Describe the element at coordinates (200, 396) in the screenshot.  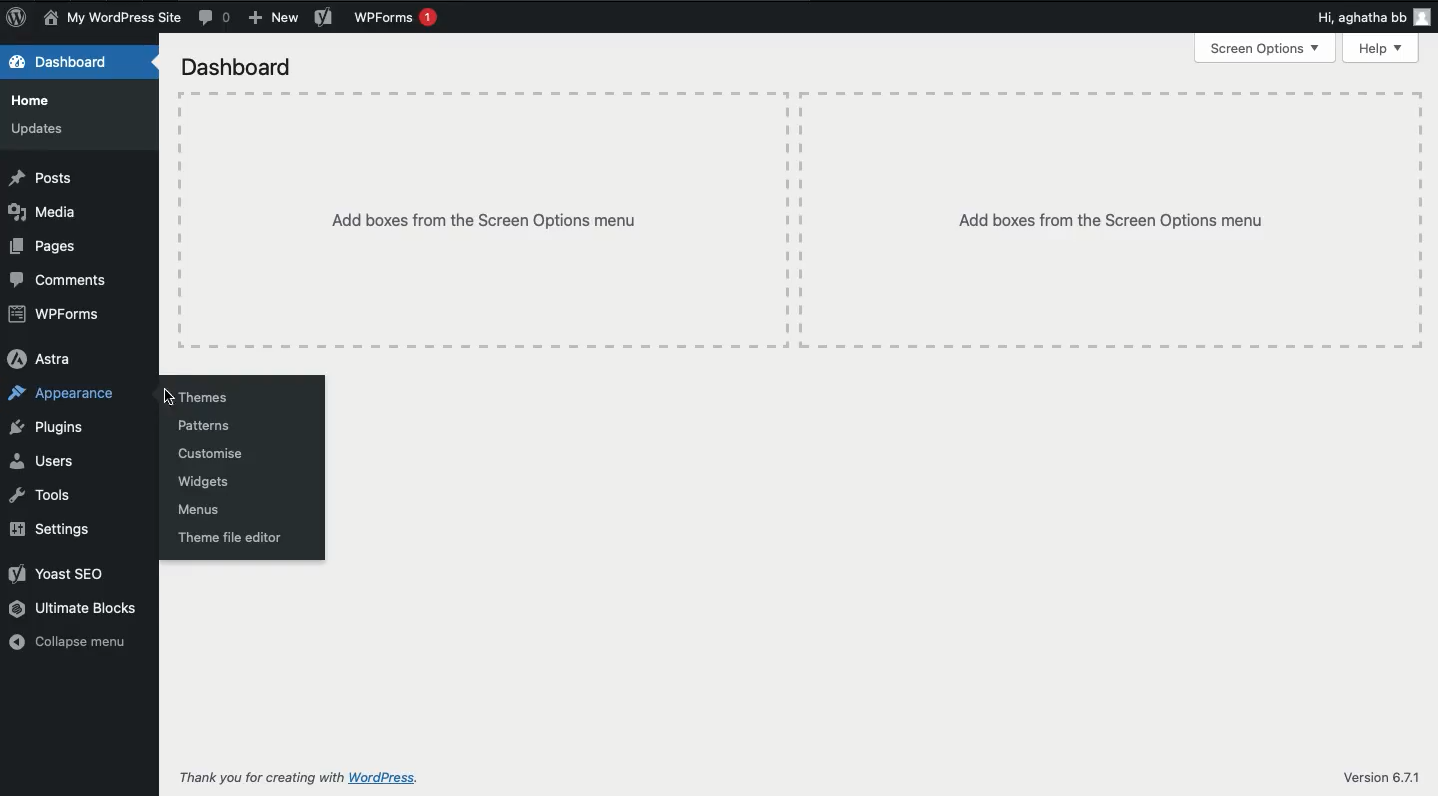
I see `Themes` at that location.